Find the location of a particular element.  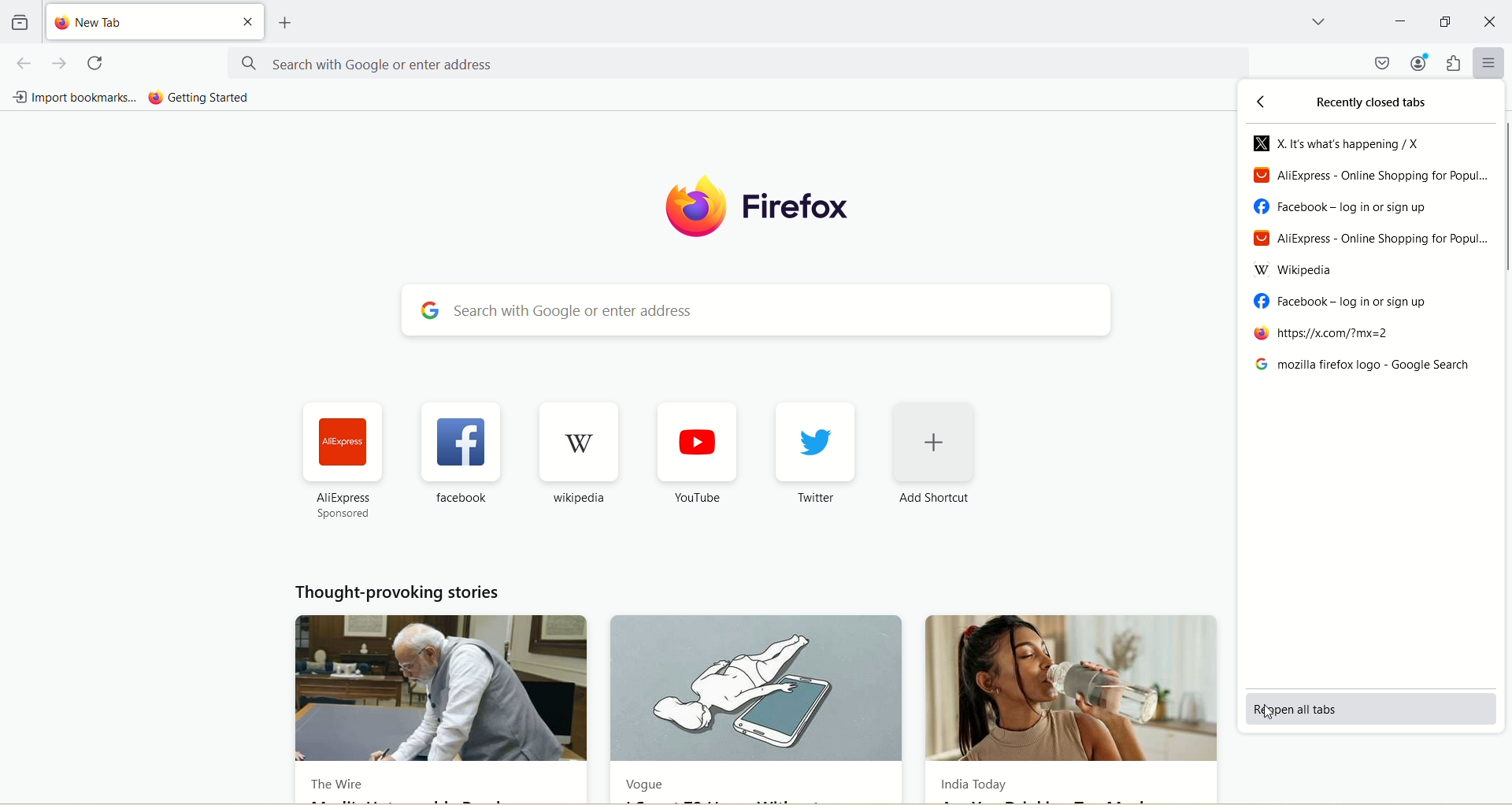

firefox is located at coordinates (797, 210).